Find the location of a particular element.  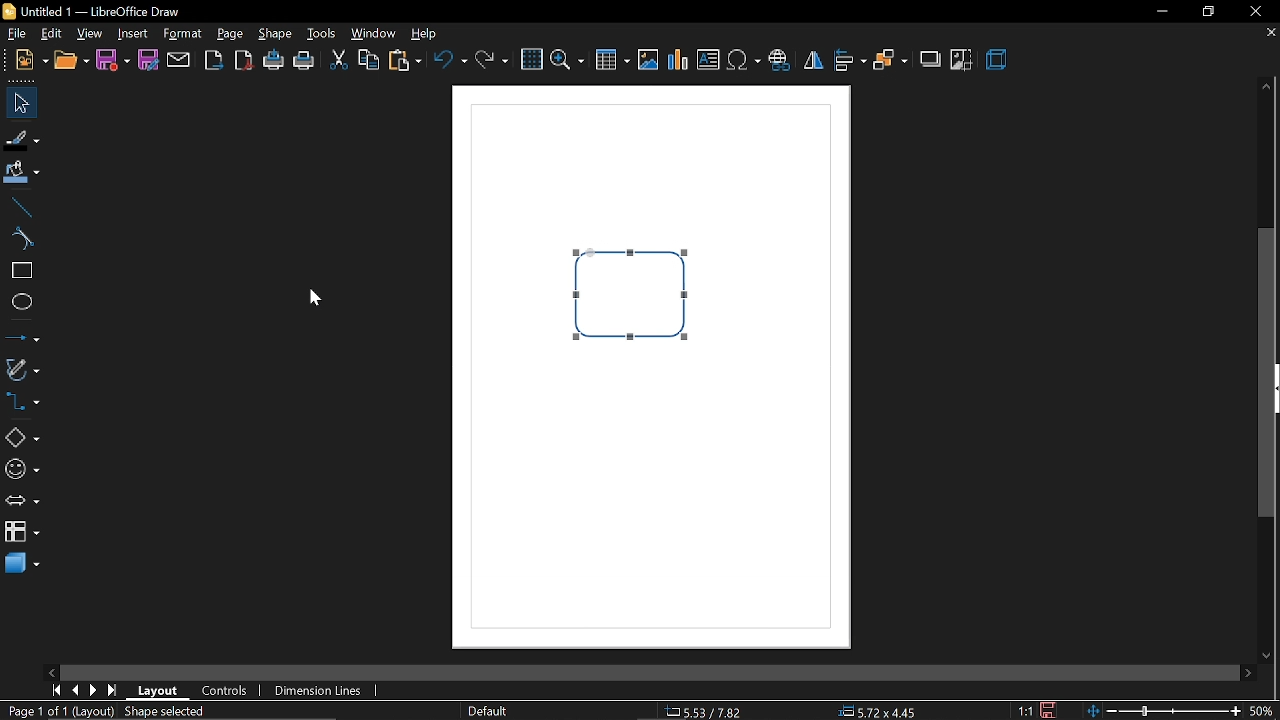

symbol shapes is located at coordinates (21, 470).